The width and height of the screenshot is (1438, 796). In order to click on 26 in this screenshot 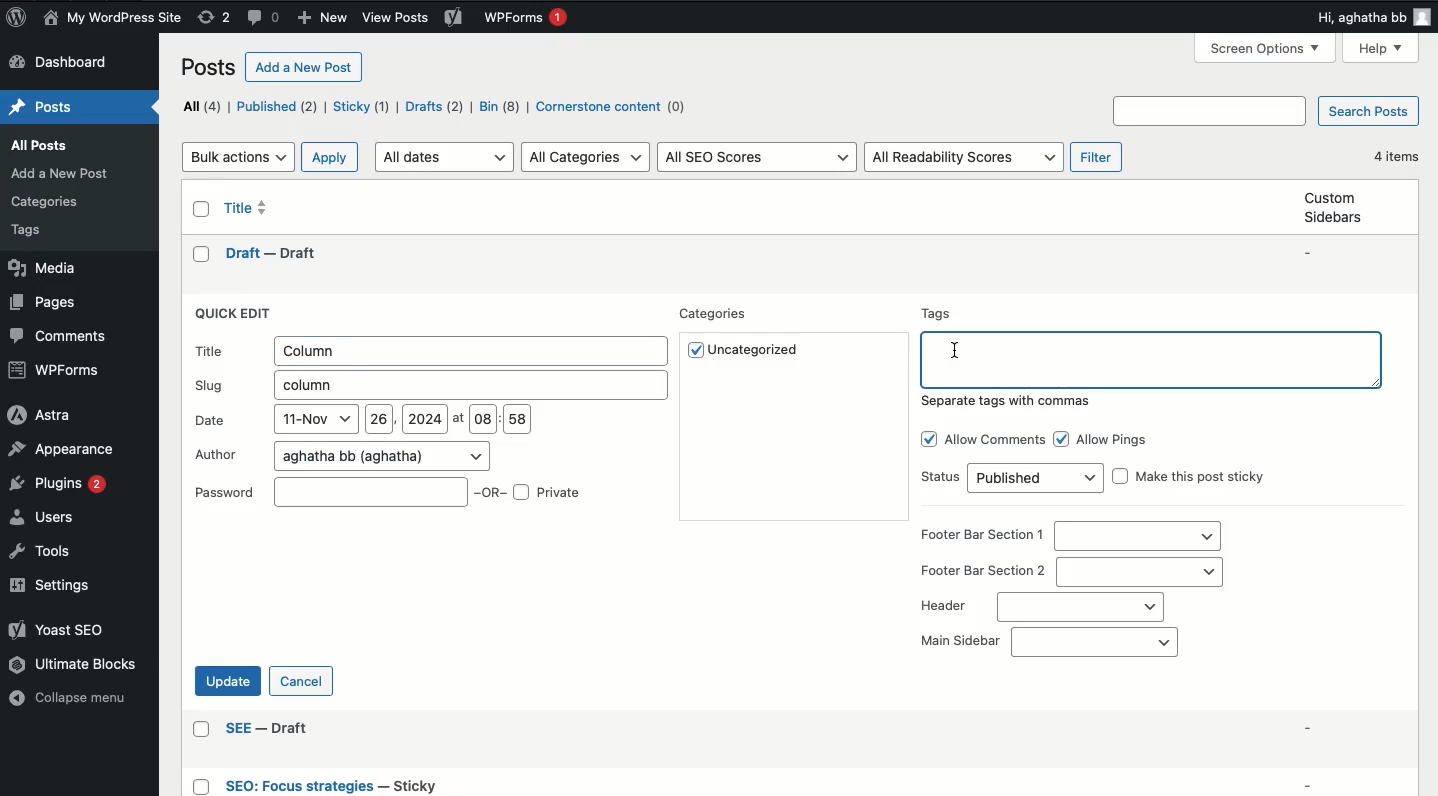, I will do `click(378, 418)`.